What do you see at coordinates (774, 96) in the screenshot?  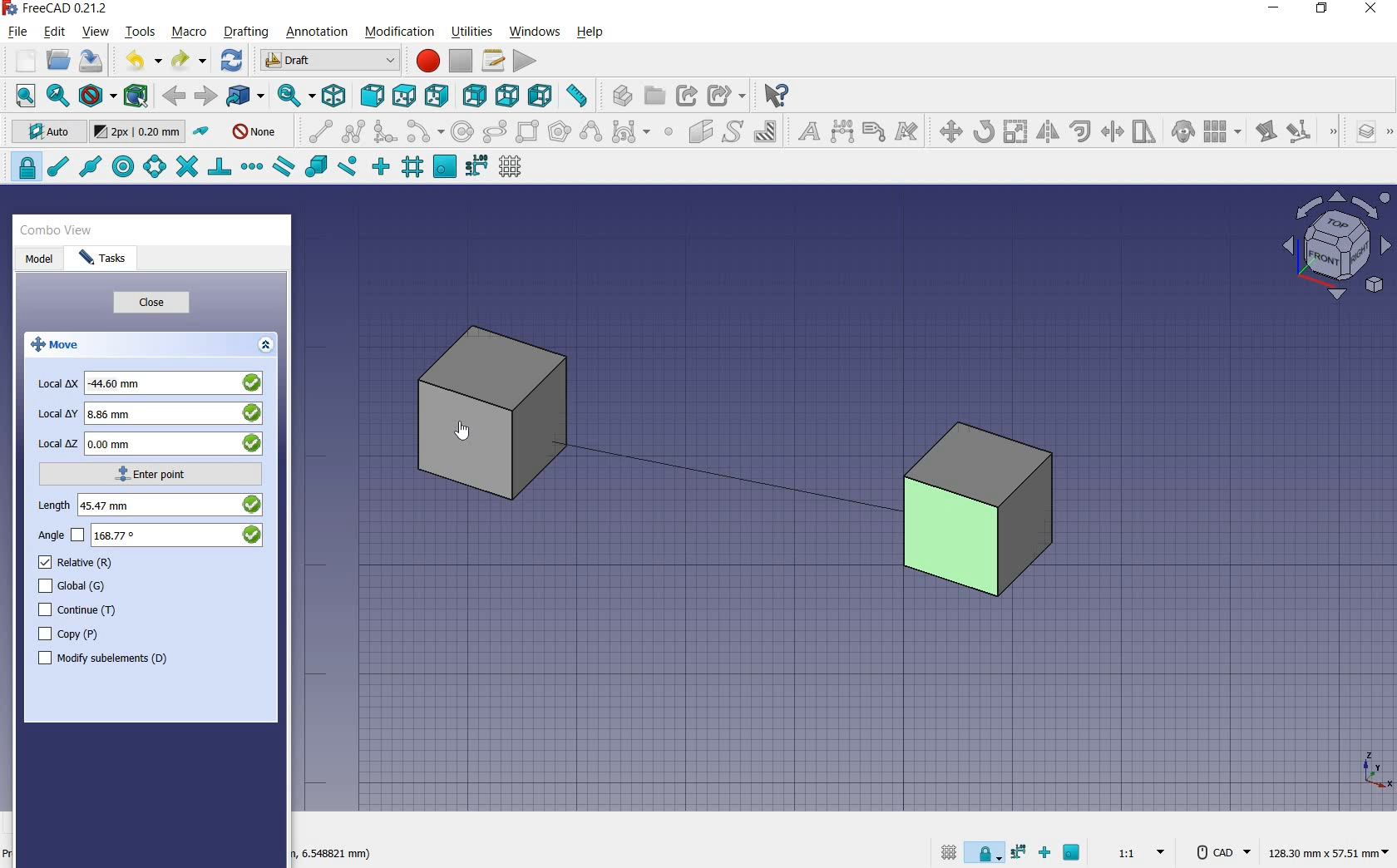 I see `what's this?` at bounding box center [774, 96].